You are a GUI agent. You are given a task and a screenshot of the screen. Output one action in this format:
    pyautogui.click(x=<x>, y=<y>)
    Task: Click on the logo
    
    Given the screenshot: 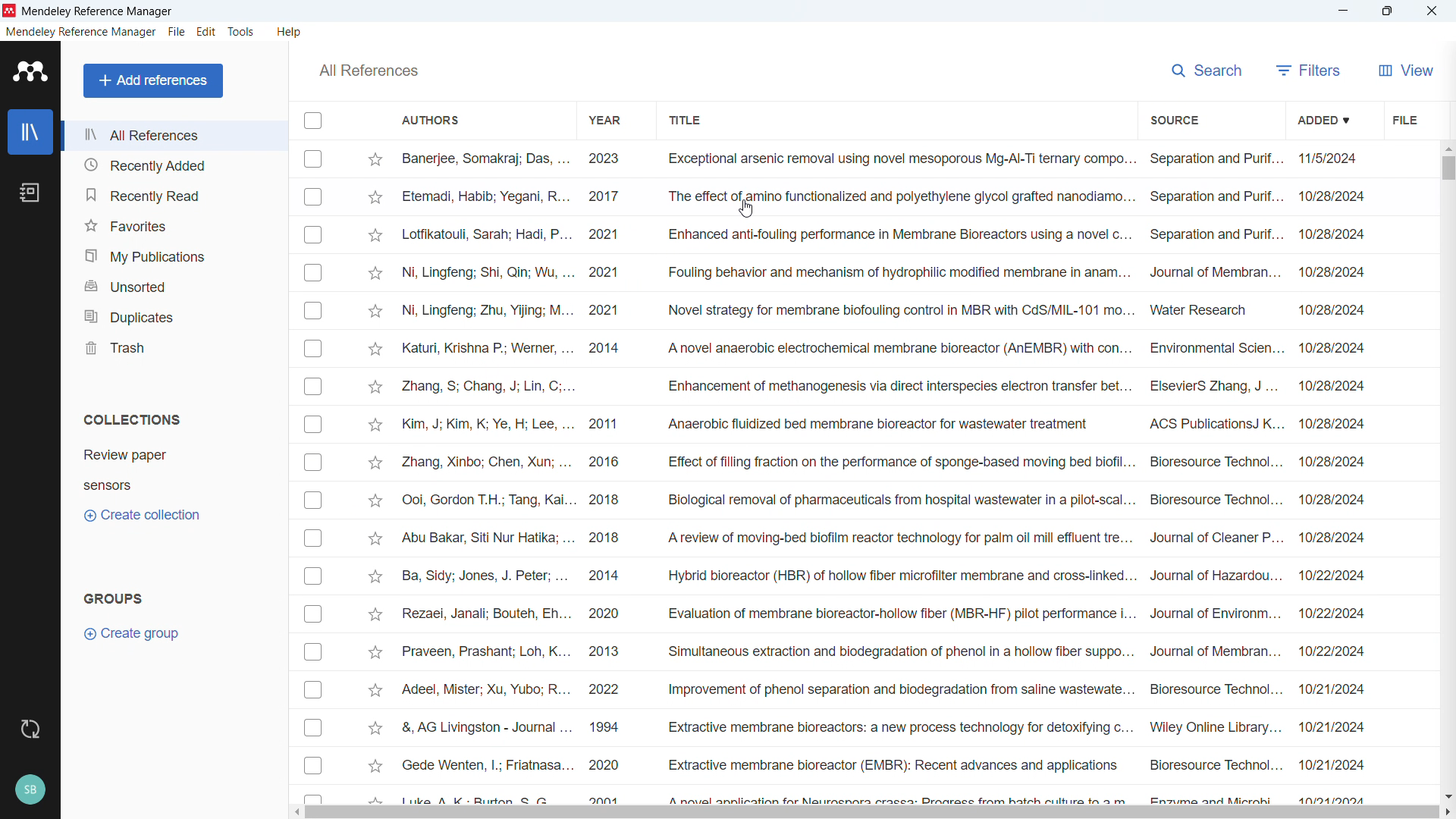 What is the action you would take?
    pyautogui.click(x=30, y=73)
    